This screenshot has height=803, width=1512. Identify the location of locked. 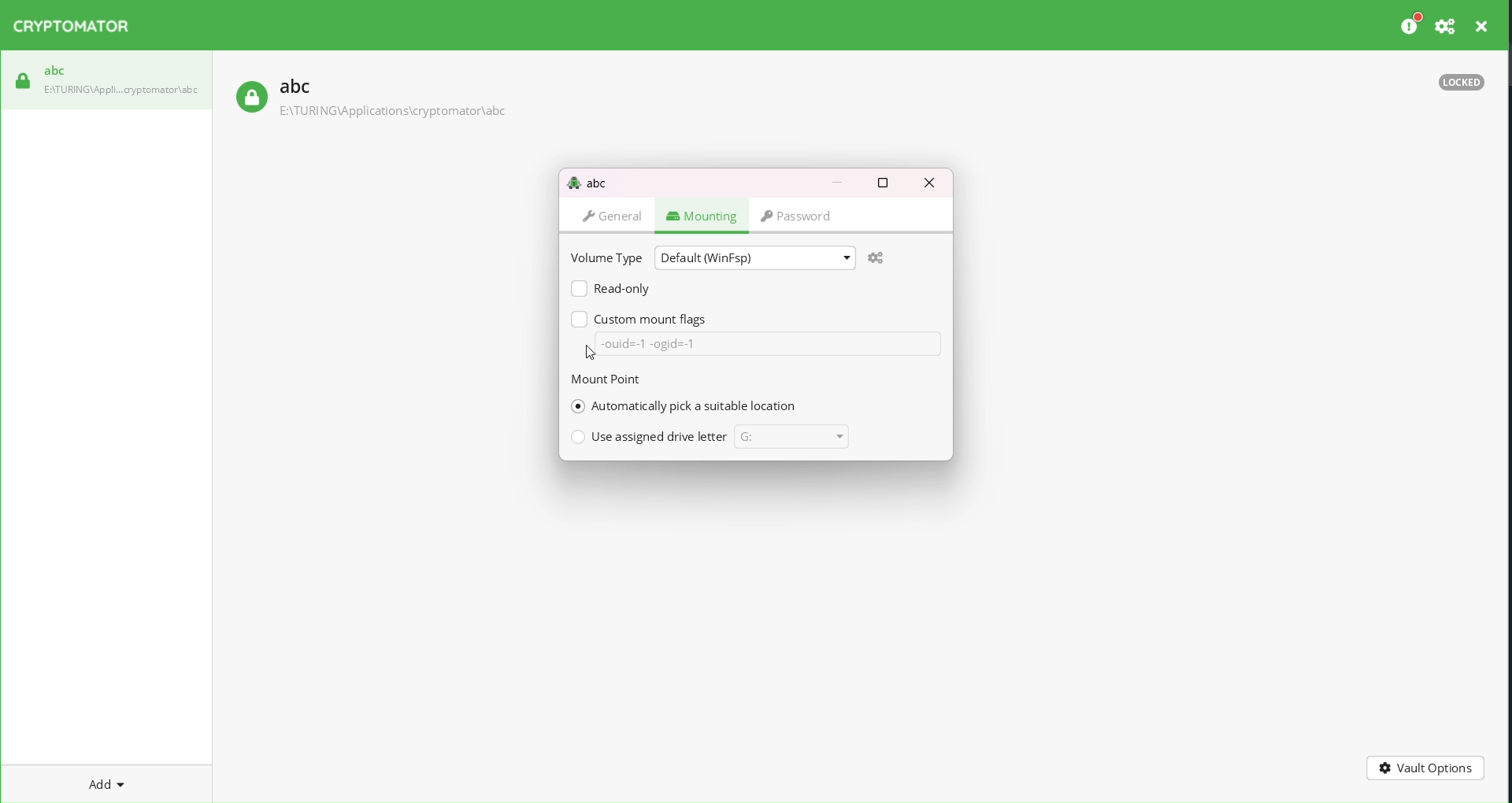
(248, 97).